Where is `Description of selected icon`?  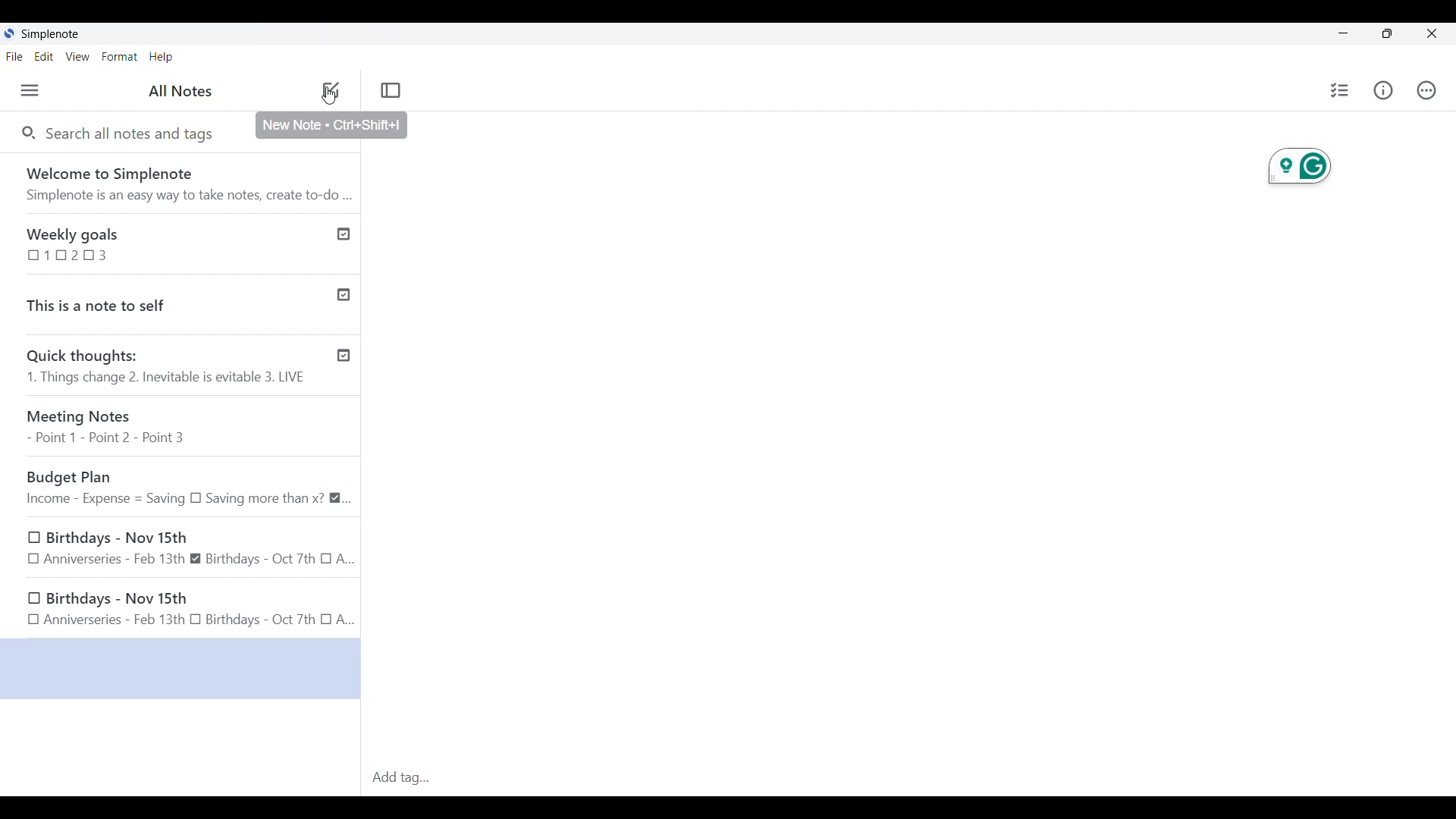 Description of selected icon is located at coordinates (331, 125).